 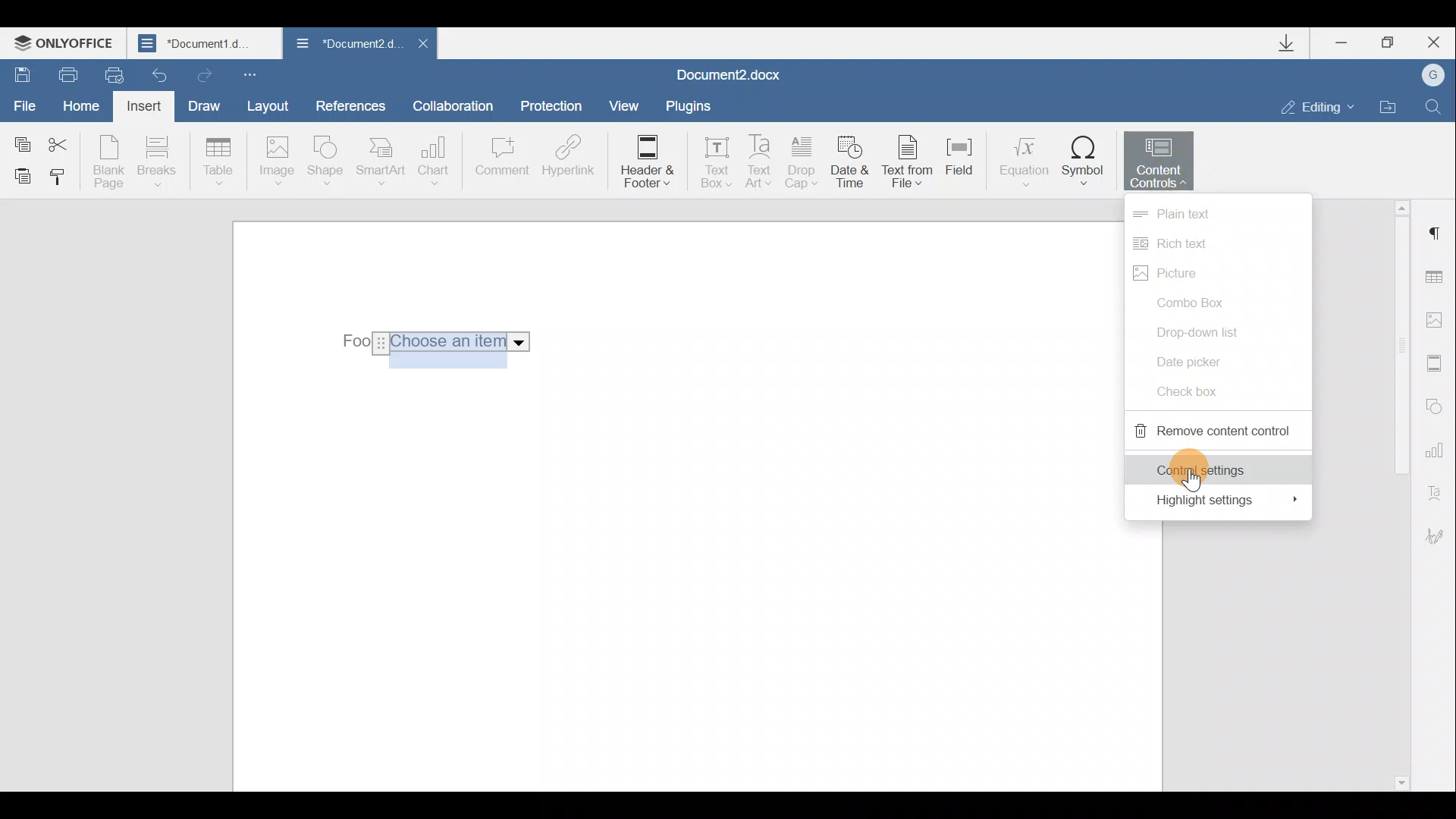 I want to click on SmartArt, so click(x=381, y=160).